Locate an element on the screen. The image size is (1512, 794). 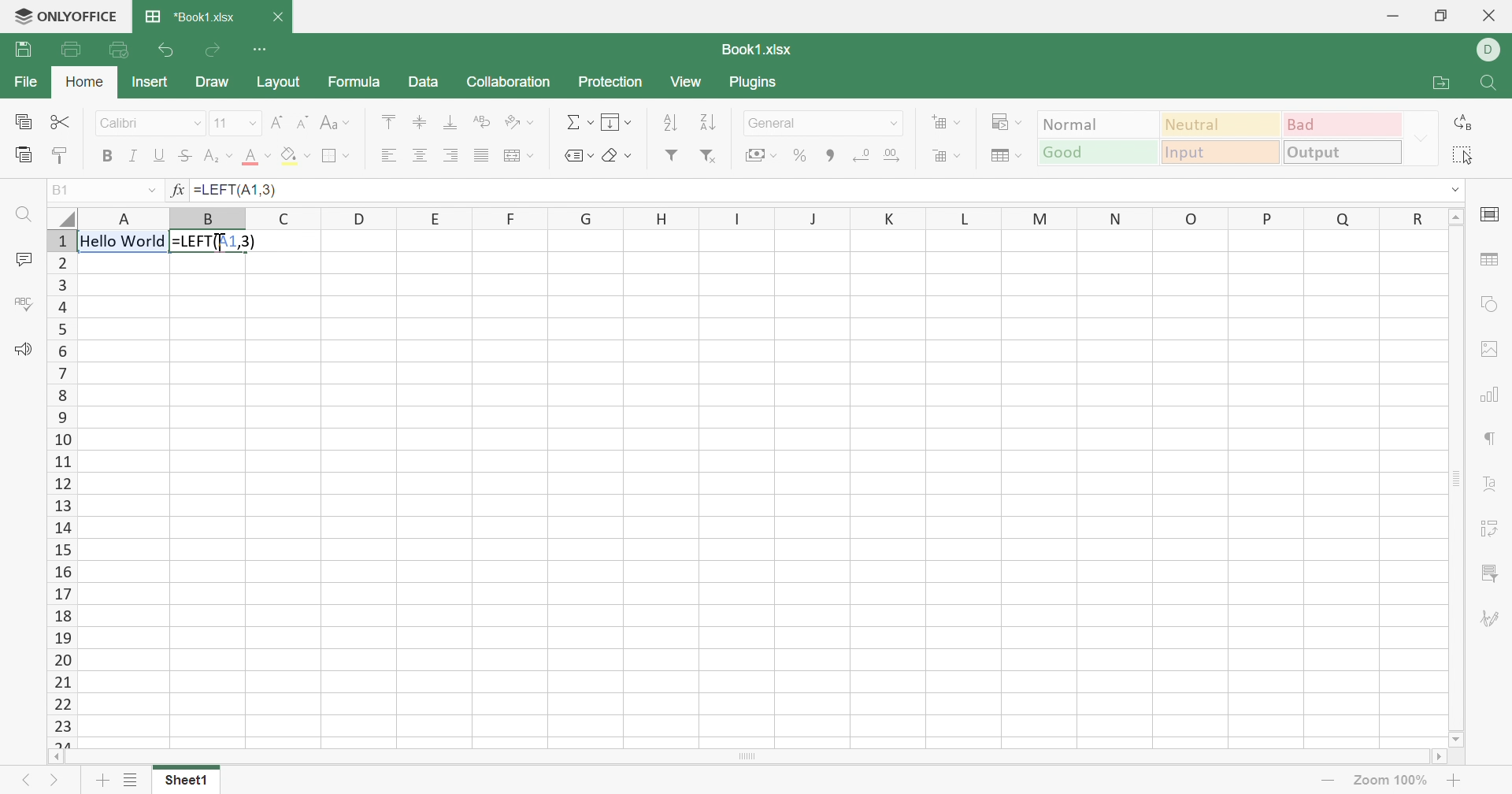
Sort ascending is located at coordinates (671, 123).